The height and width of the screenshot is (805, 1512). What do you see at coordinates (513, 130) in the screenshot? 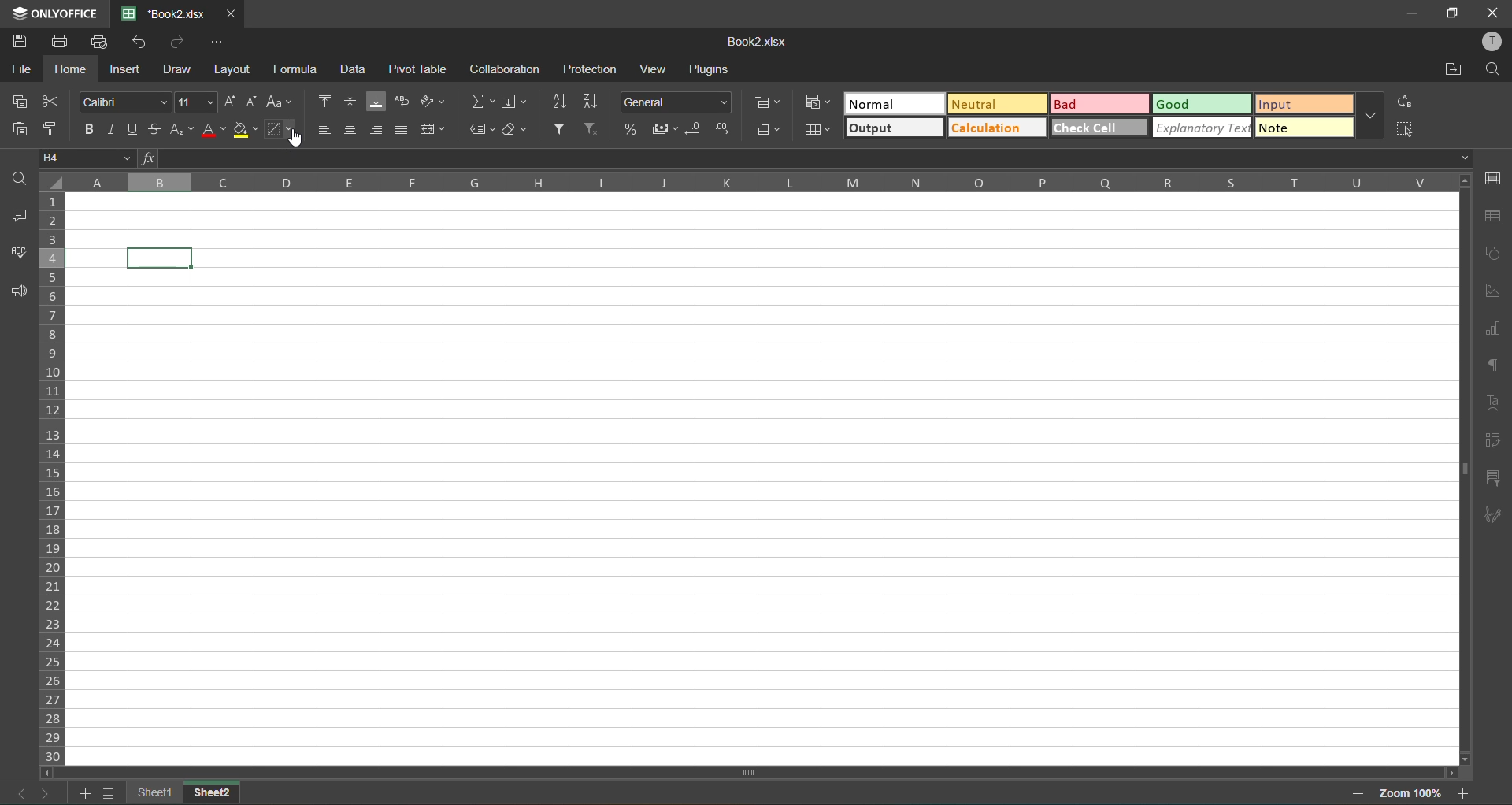
I see `clear` at bounding box center [513, 130].